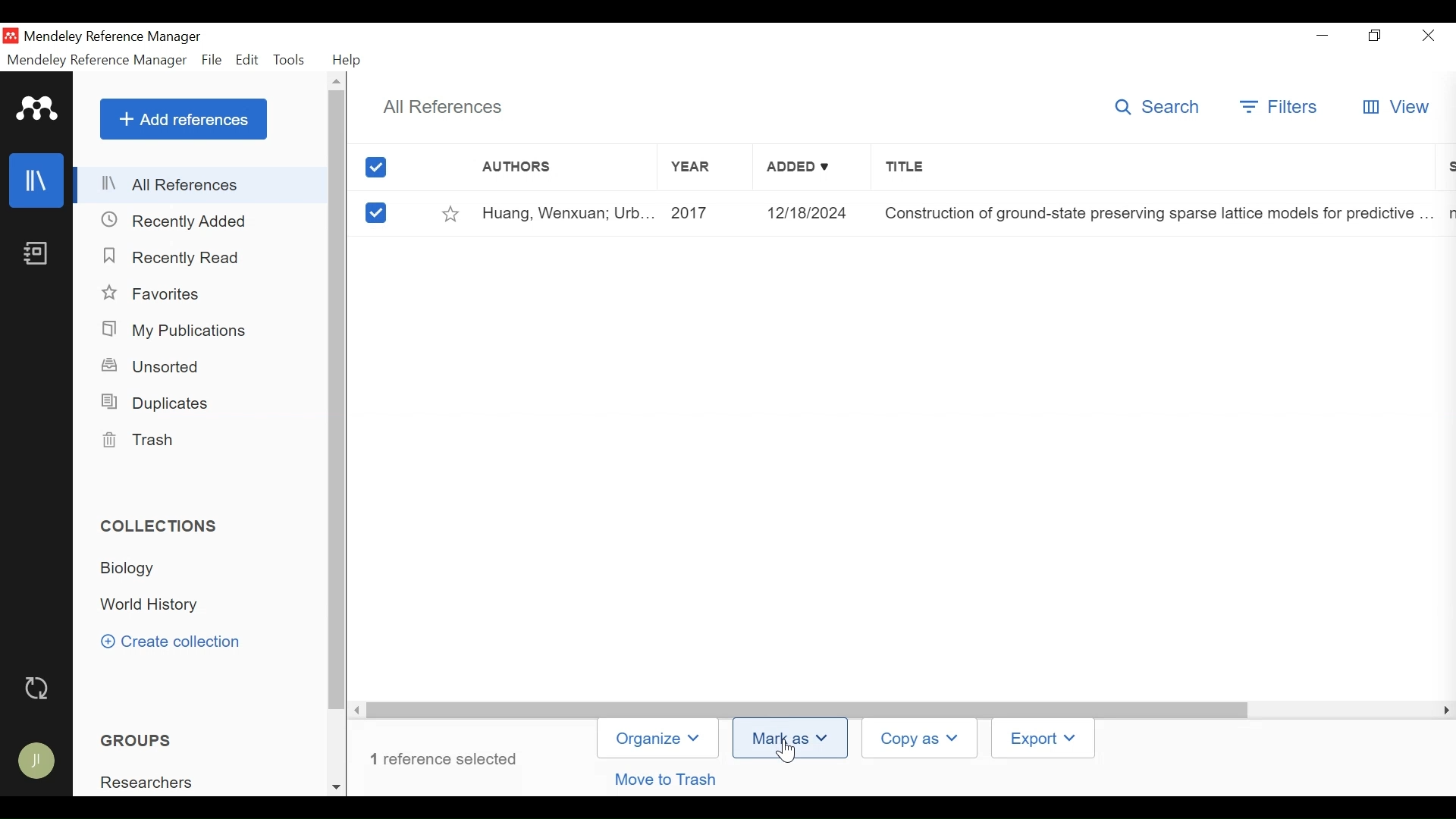 This screenshot has height=819, width=1456. Describe the element at coordinates (201, 186) in the screenshot. I see `All References` at that location.